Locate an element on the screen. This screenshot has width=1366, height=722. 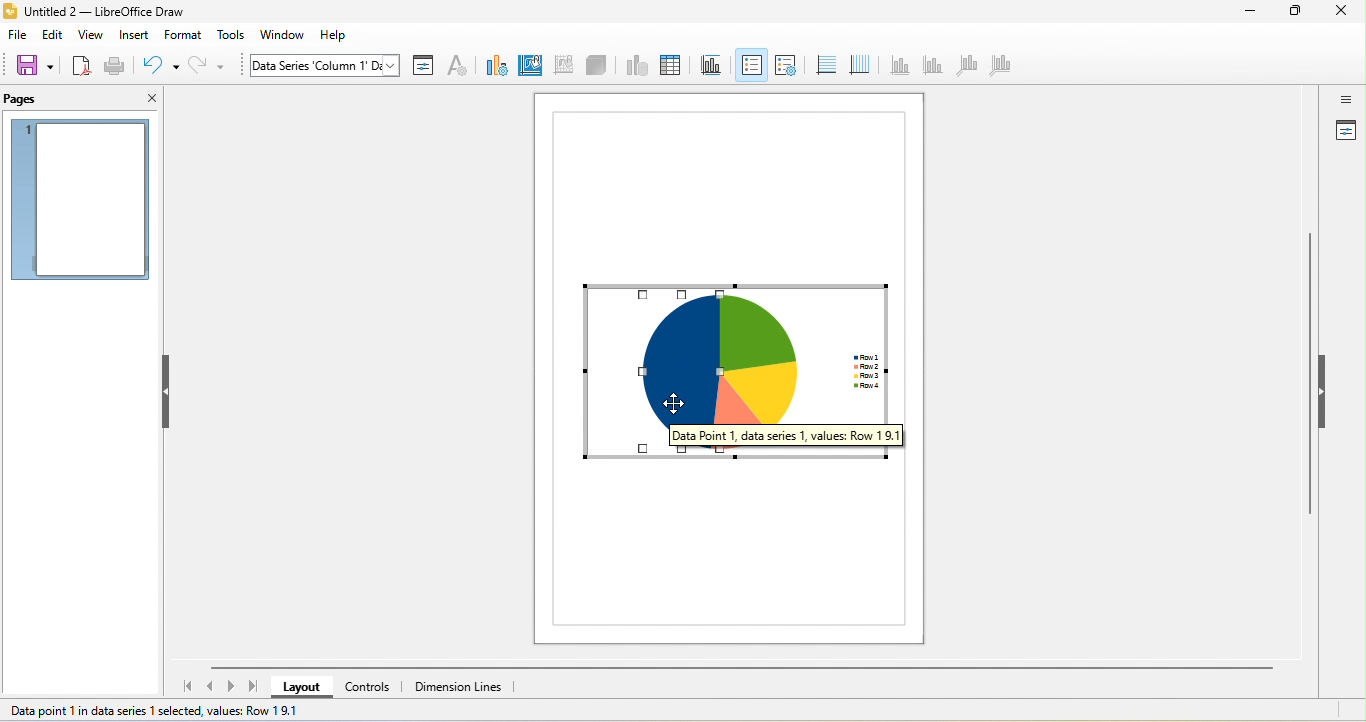
3D view is located at coordinates (598, 66).